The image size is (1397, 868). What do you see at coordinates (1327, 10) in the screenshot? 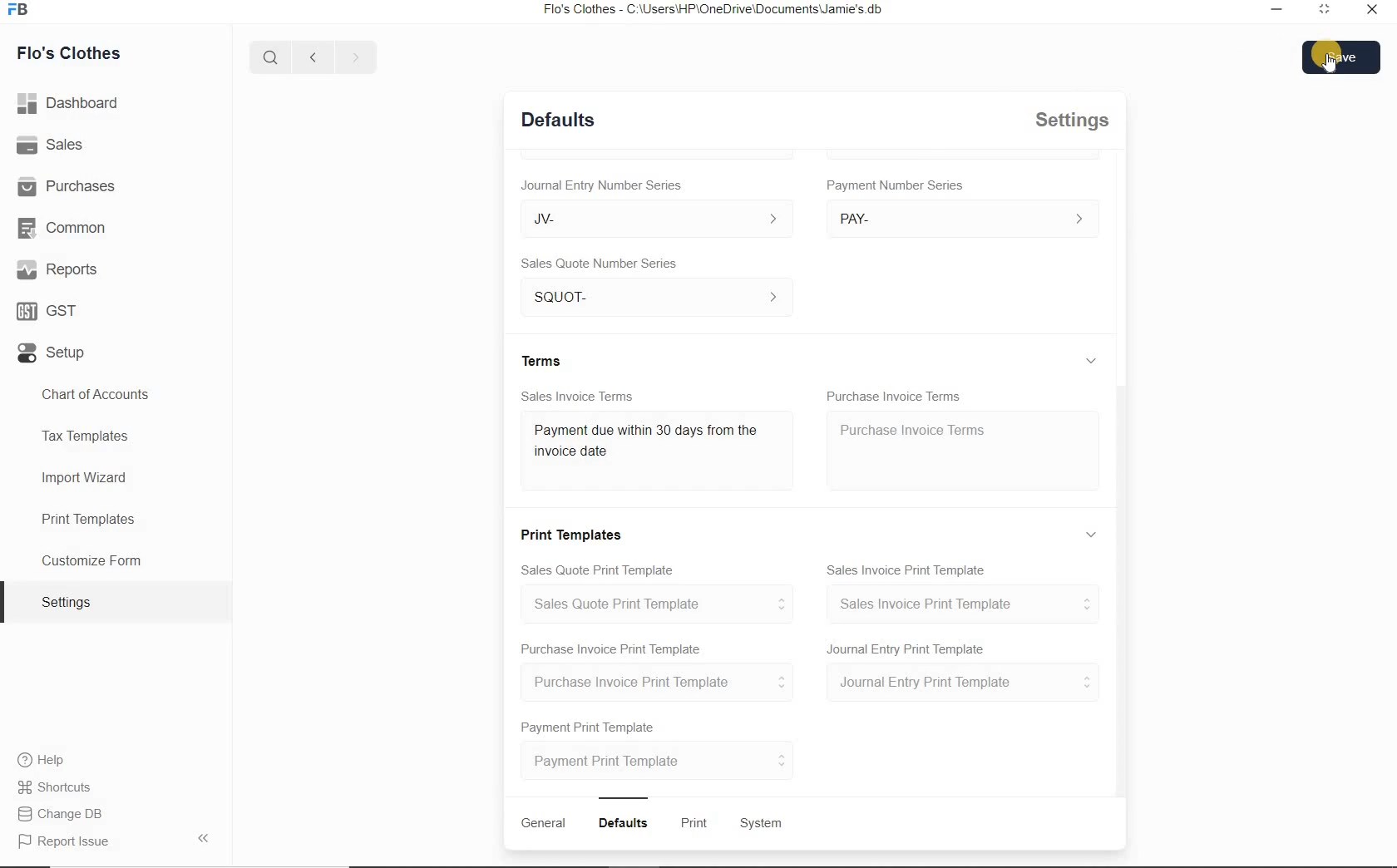
I see `Maximize` at bounding box center [1327, 10].